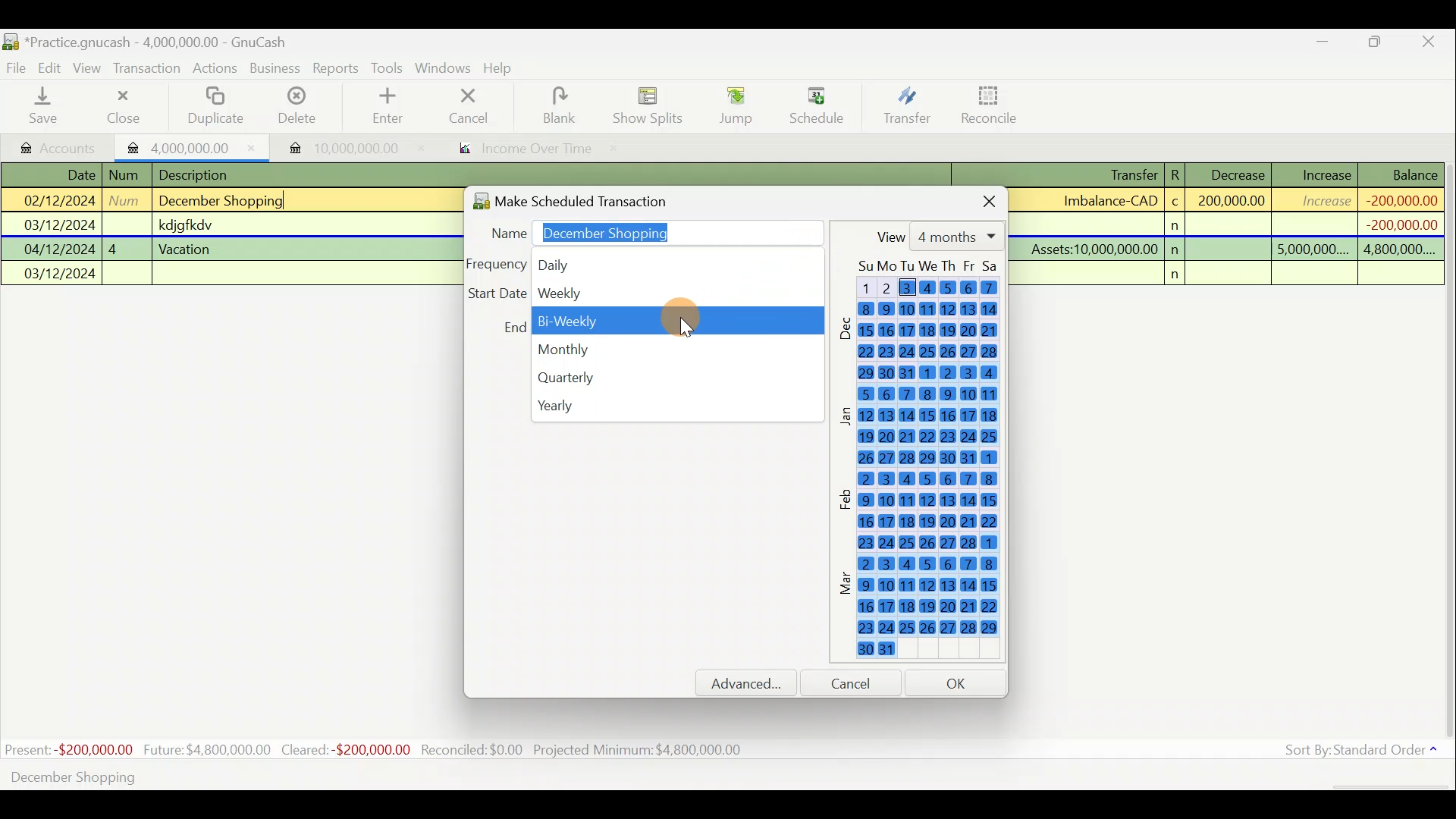  I want to click on View, so click(89, 68).